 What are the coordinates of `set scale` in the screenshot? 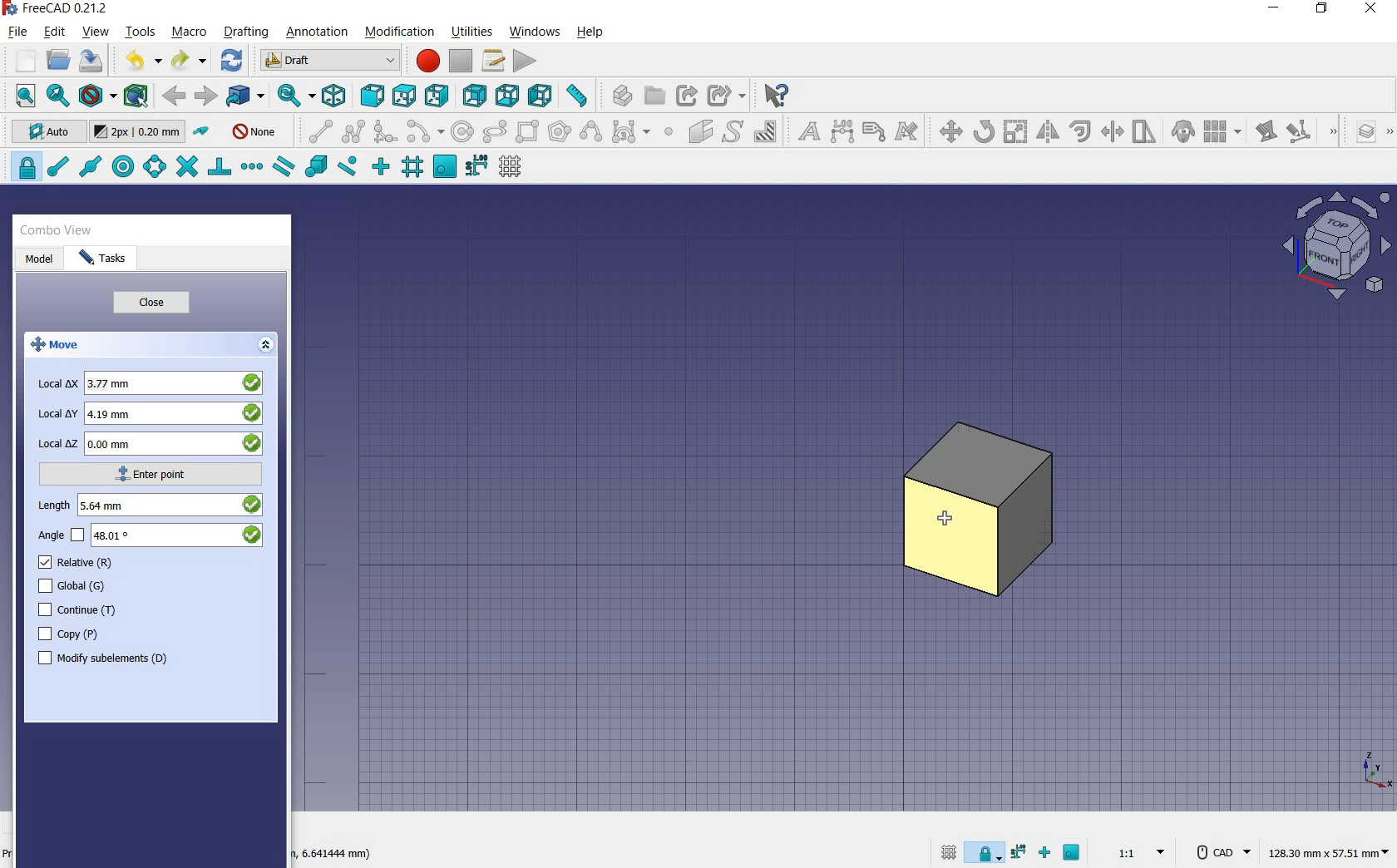 It's located at (1140, 852).